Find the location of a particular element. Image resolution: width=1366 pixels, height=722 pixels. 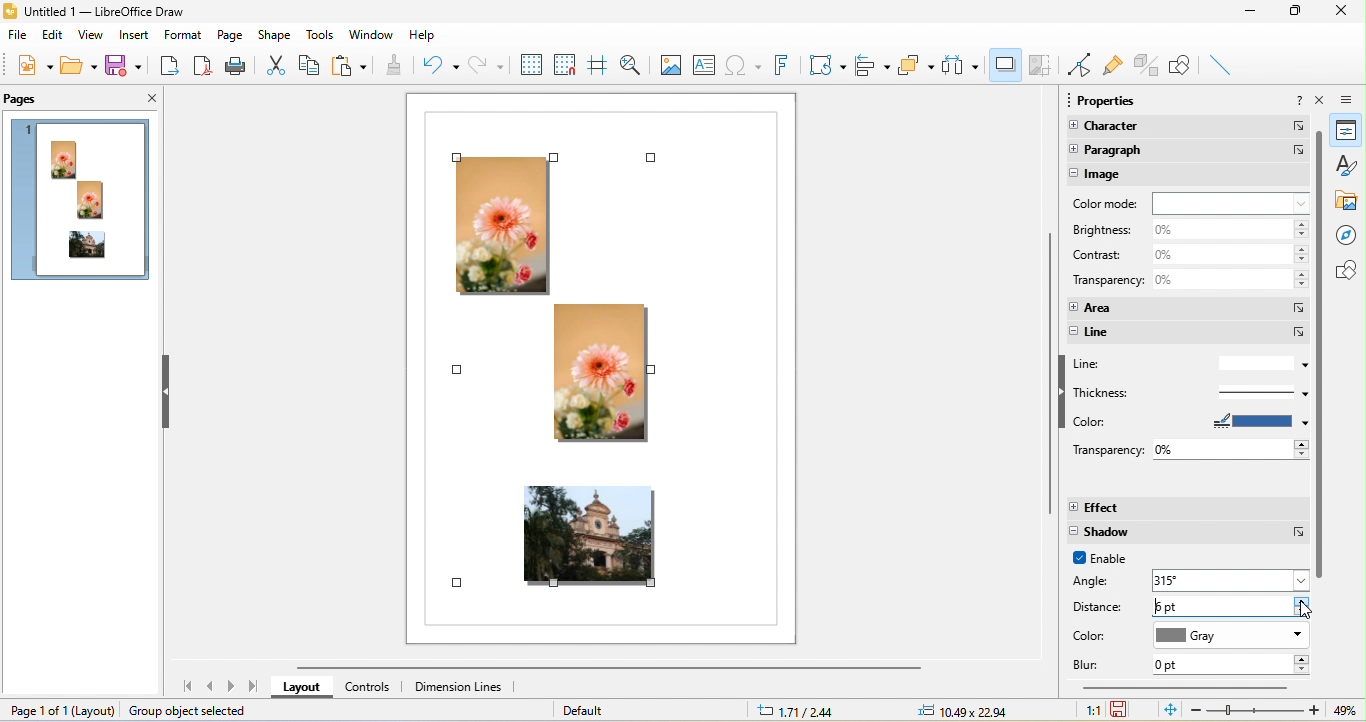

page 1 images is located at coordinates (83, 203).